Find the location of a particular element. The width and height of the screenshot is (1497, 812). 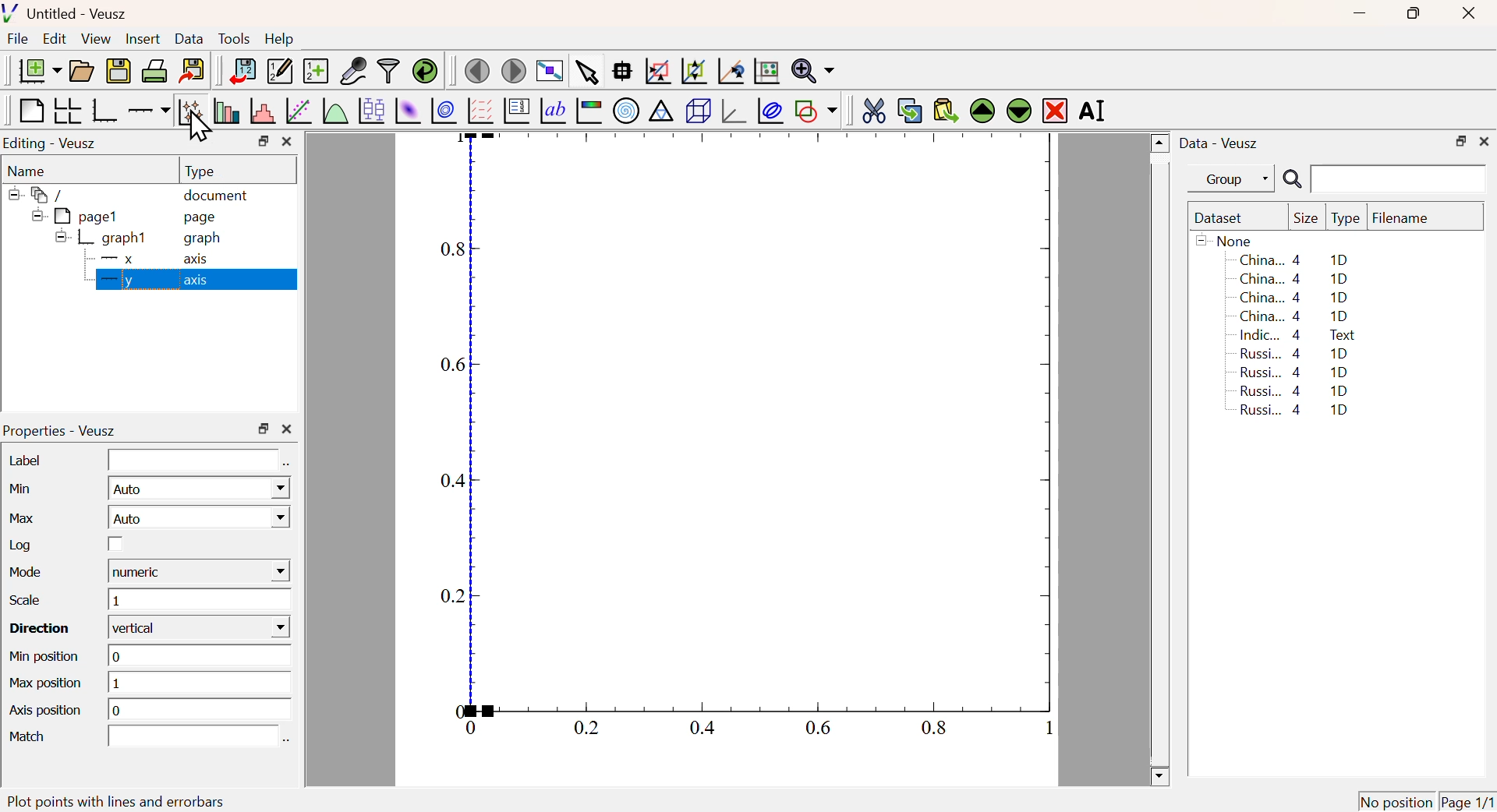

Name is located at coordinates (28, 171).